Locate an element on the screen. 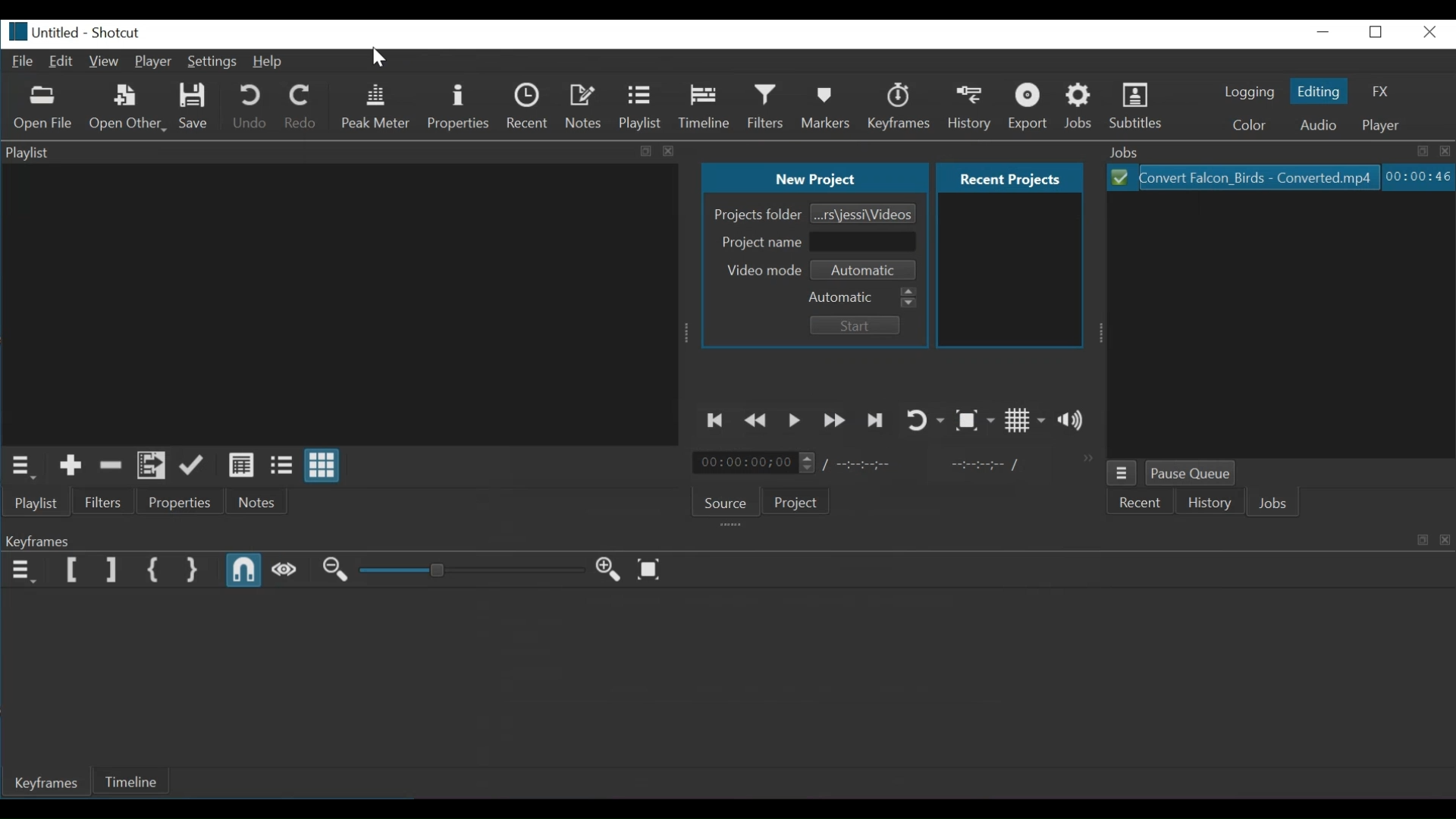 The image size is (1456, 819). View is located at coordinates (106, 62).